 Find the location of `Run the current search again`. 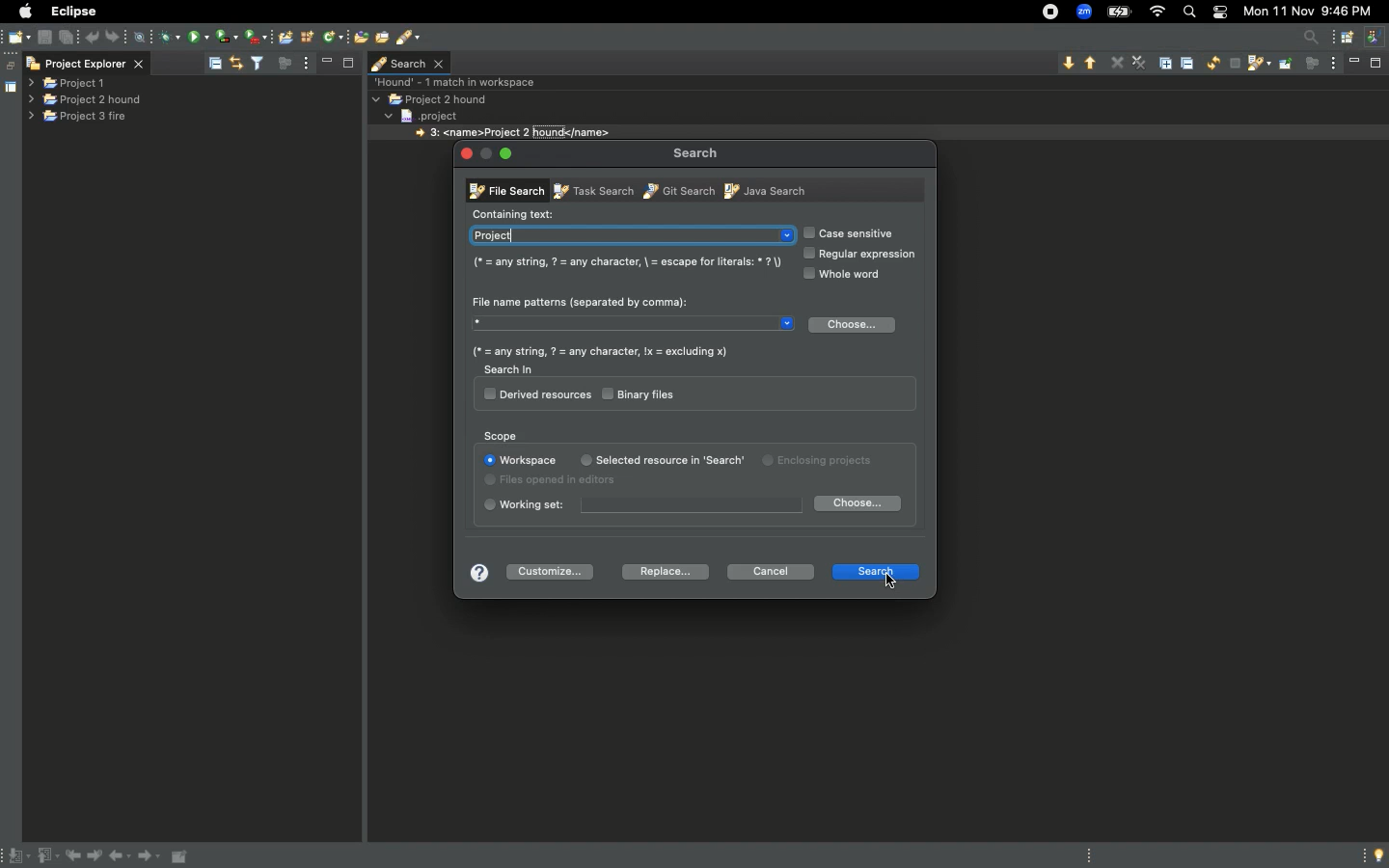

Run the current search again is located at coordinates (1212, 64).